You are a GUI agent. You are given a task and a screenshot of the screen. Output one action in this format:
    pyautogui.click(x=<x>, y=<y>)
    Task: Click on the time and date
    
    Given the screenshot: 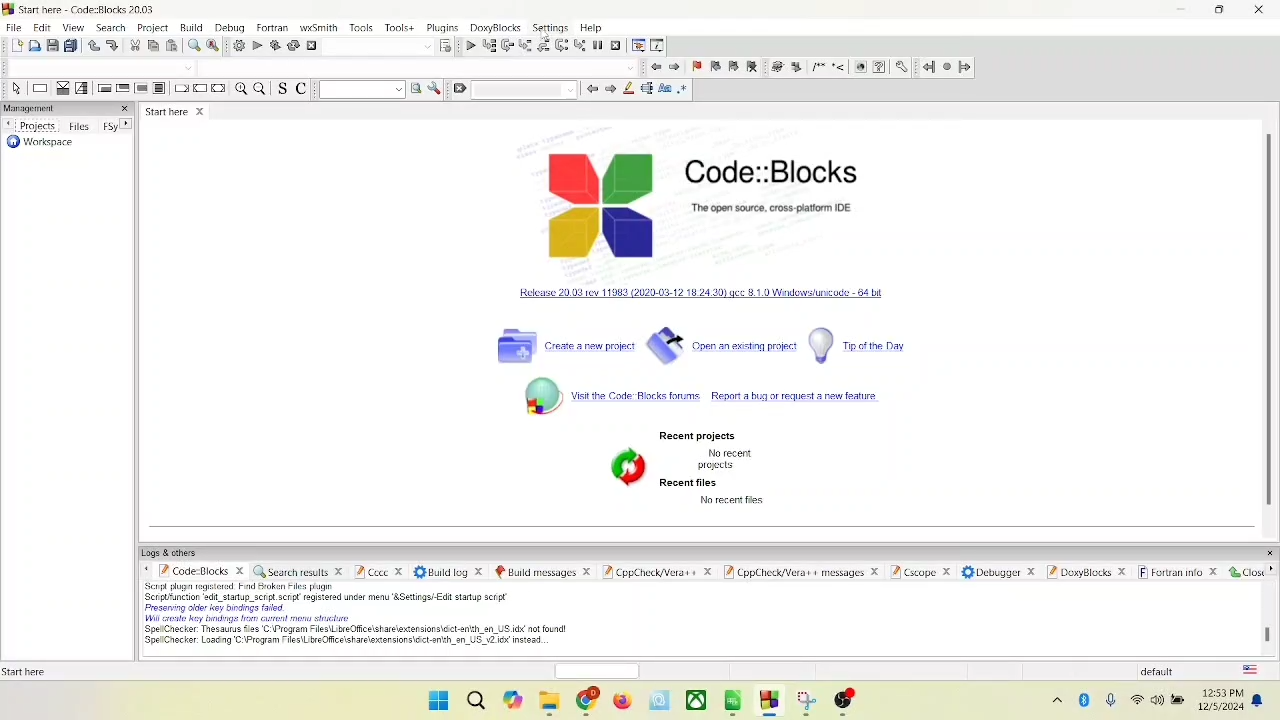 What is the action you would take?
    pyautogui.click(x=1222, y=701)
    